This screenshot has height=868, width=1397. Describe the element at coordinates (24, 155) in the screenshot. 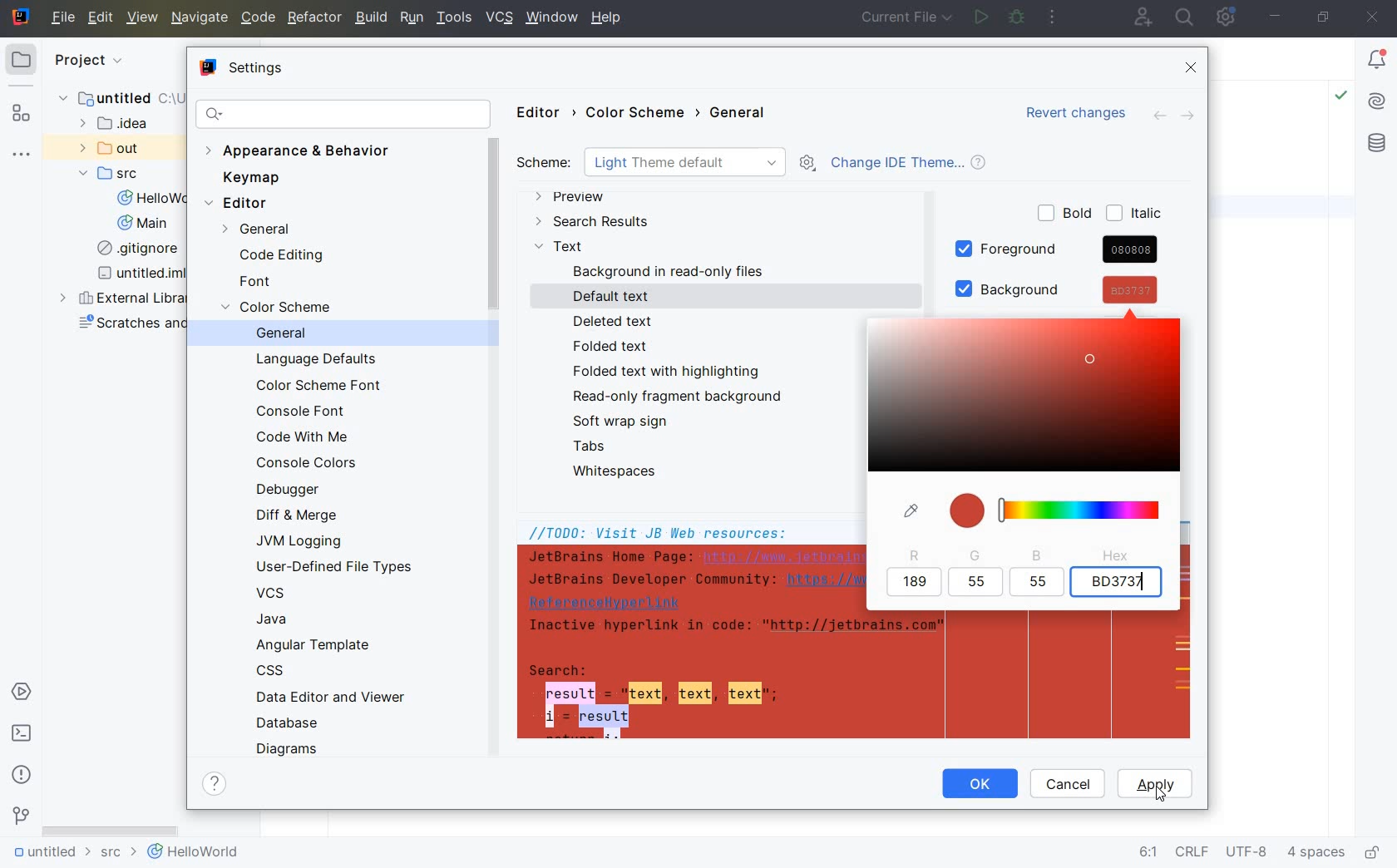

I see `more tool windows` at that location.